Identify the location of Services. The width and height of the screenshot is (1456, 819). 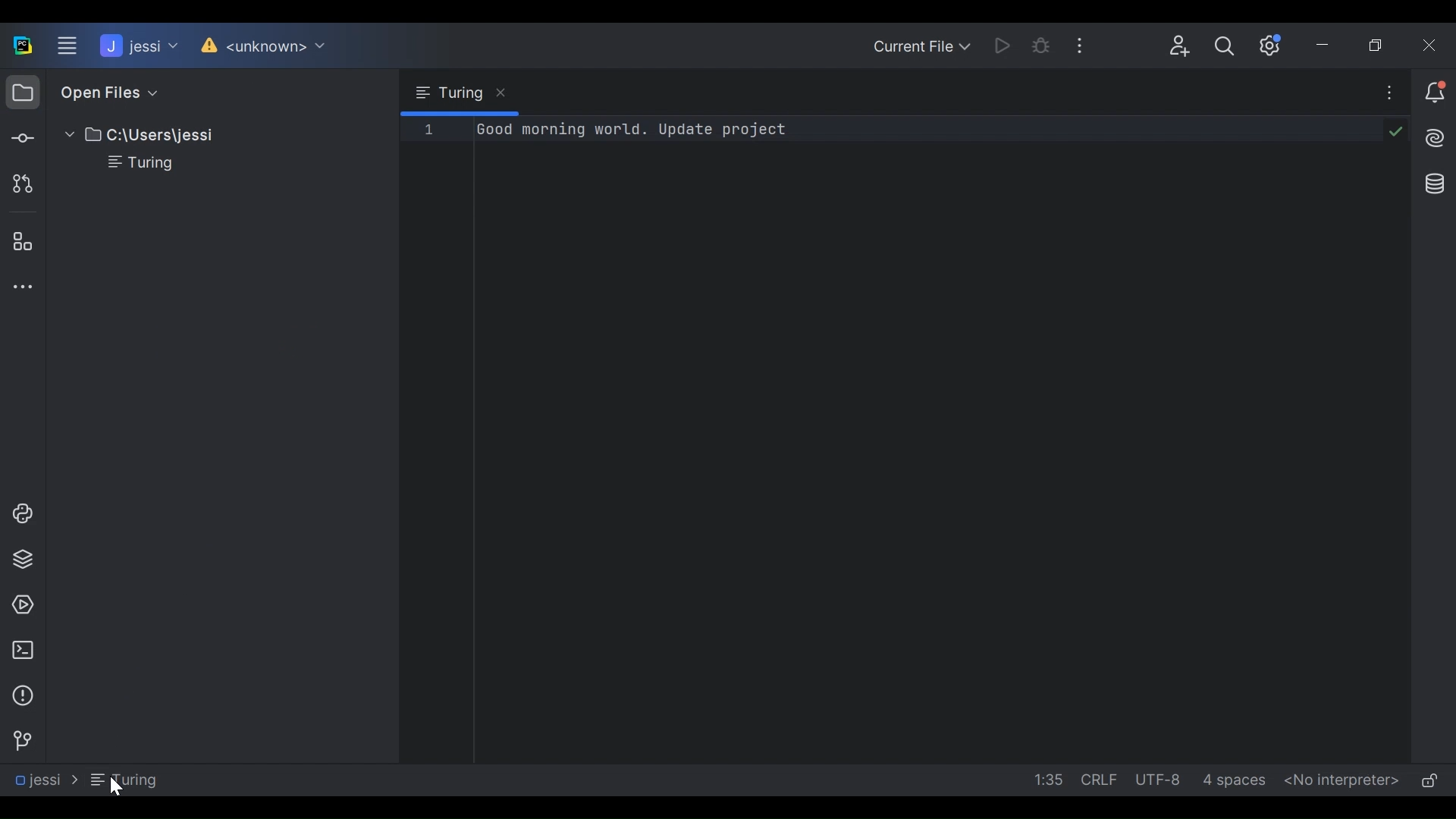
(18, 605).